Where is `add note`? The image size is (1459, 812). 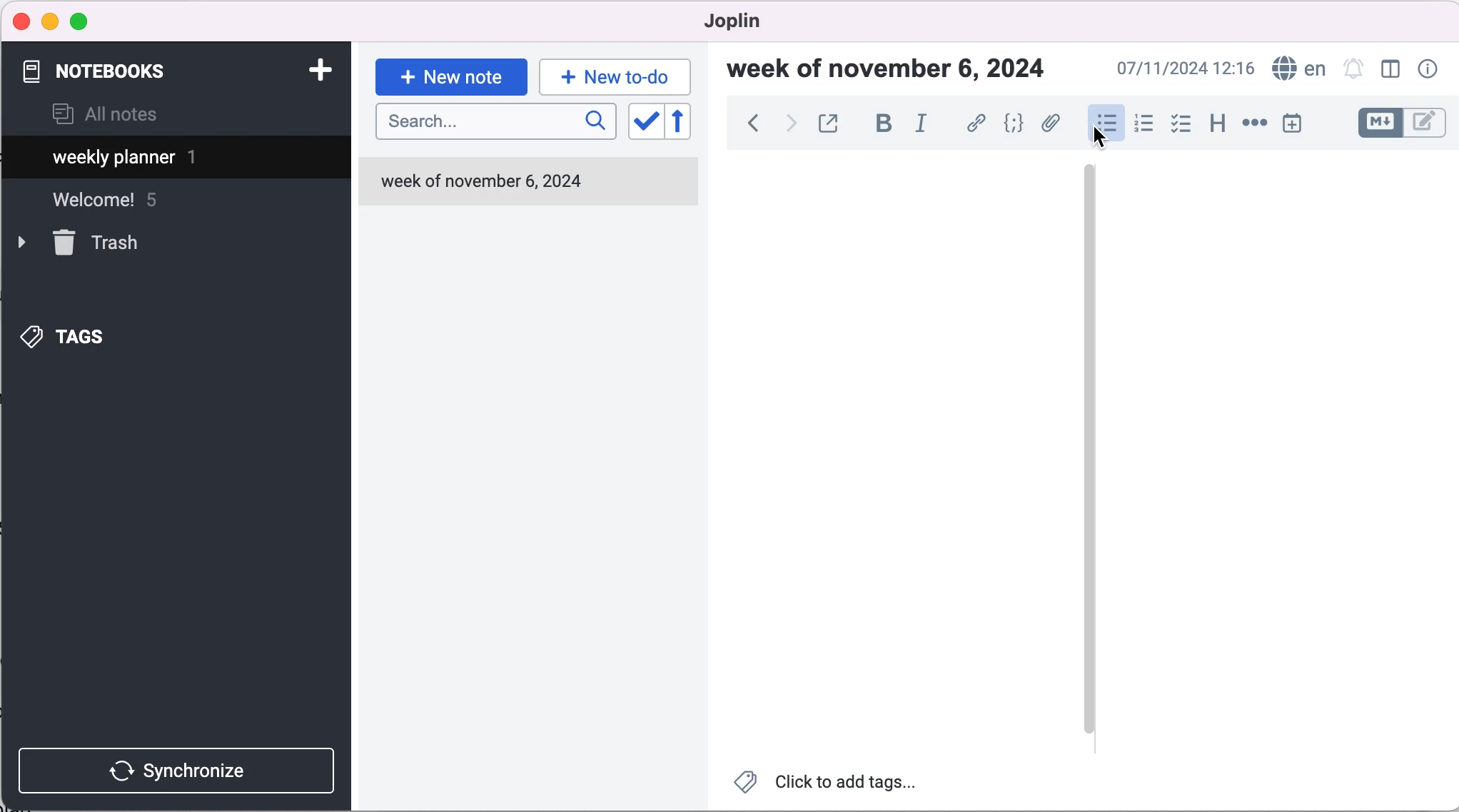 add note is located at coordinates (319, 68).